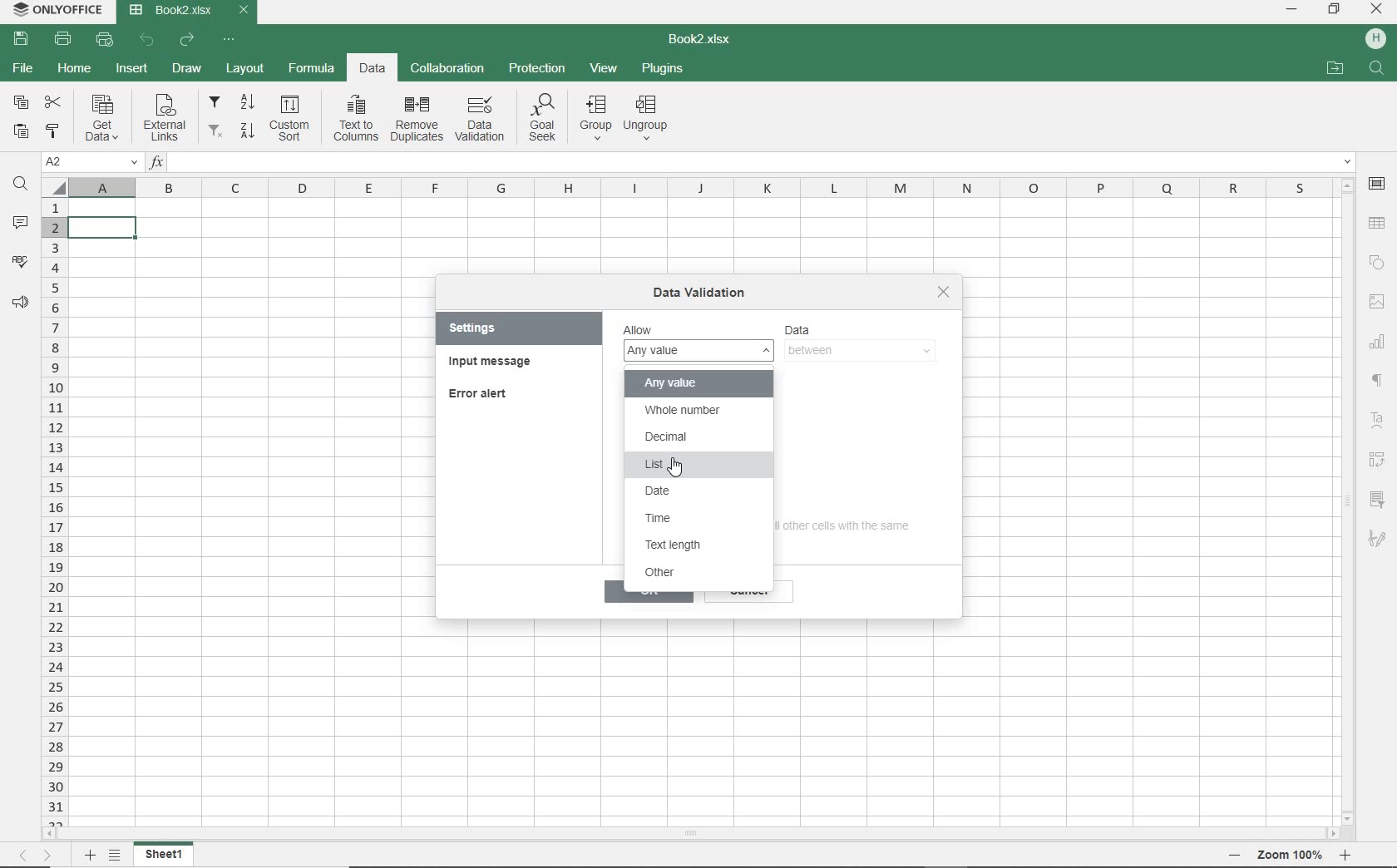 This screenshot has width=1397, height=868. I want to click on time, so click(685, 518).